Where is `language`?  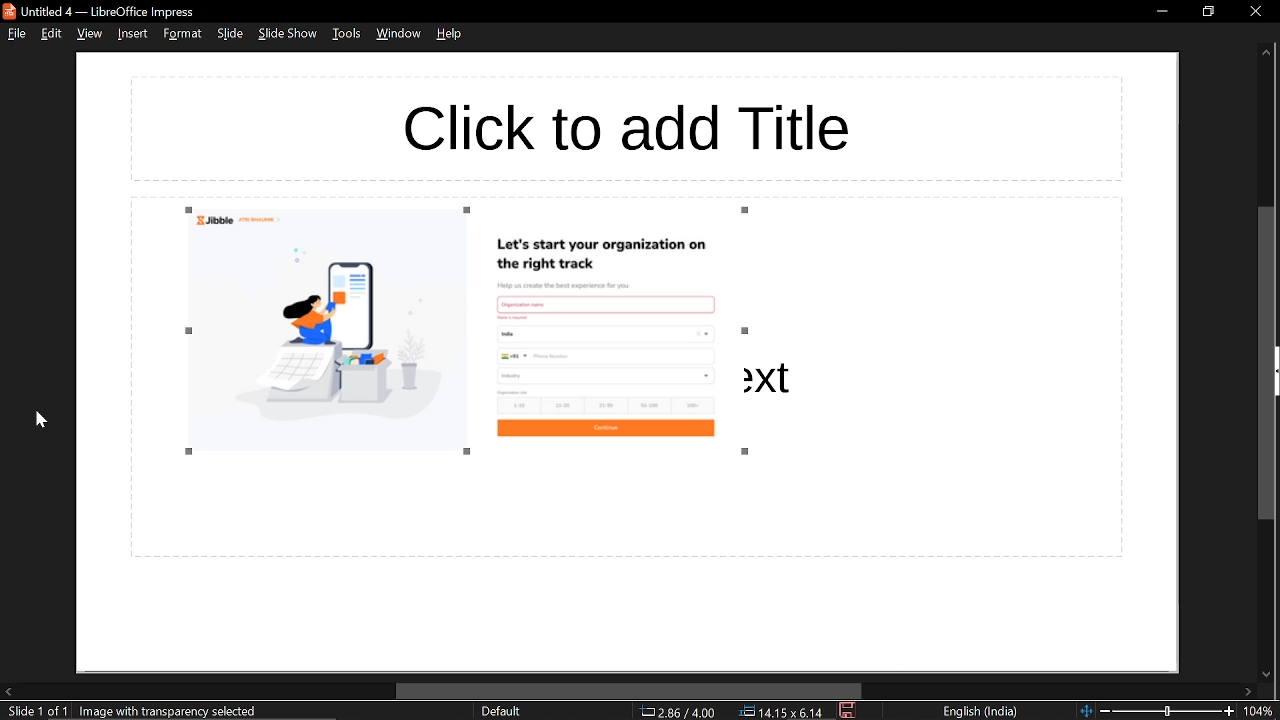
language is located at coordinates (981, 712).